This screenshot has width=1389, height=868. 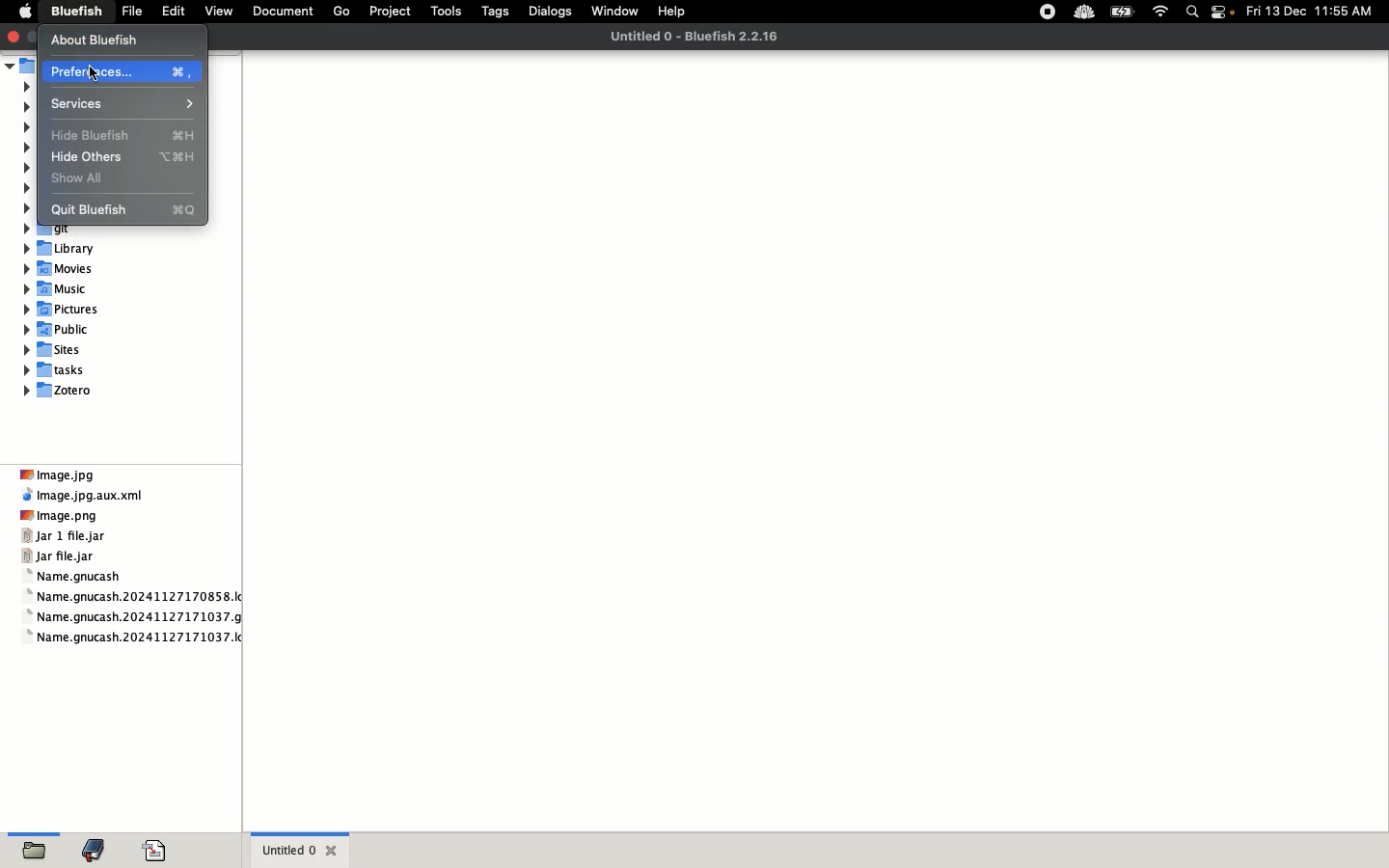 What do you see at coordinates (25, 10) in the screenshot?
I see `mac logo` at bounding box center [25, 10].